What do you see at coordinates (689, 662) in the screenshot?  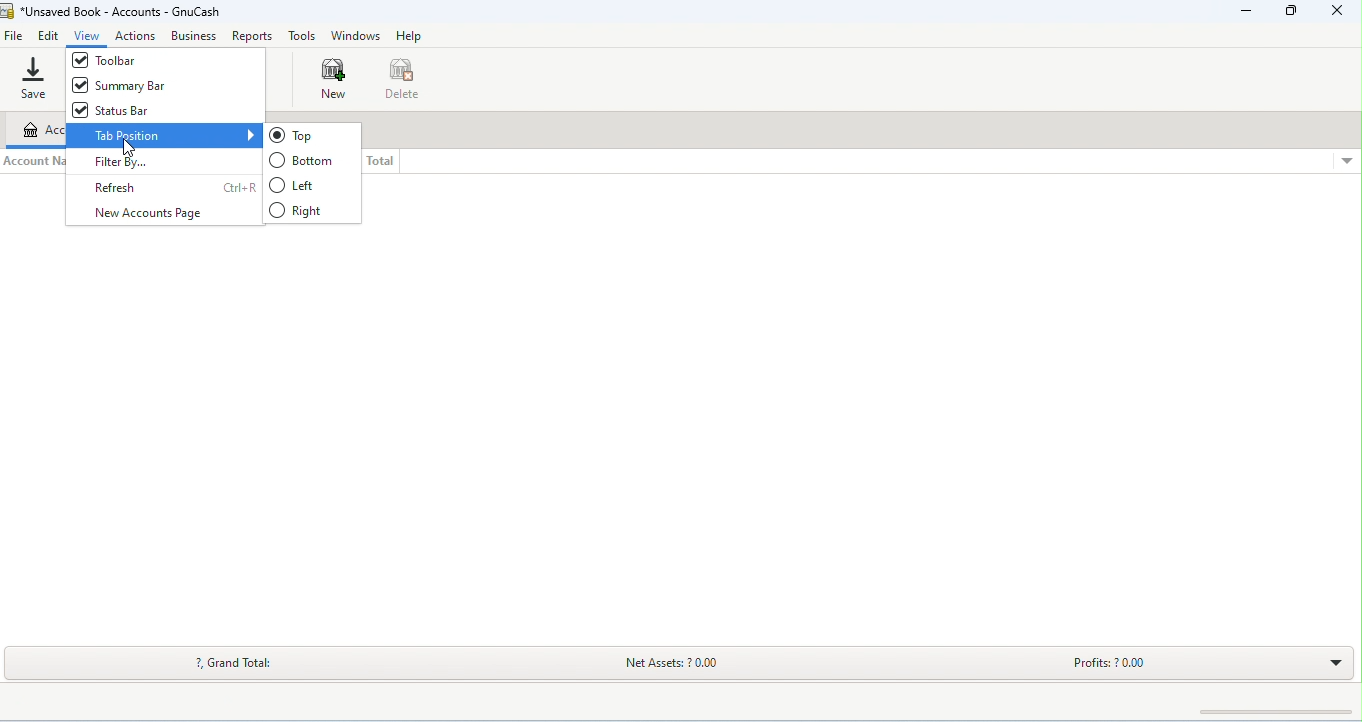 I see `net assets` at bounding box center [689, 662].